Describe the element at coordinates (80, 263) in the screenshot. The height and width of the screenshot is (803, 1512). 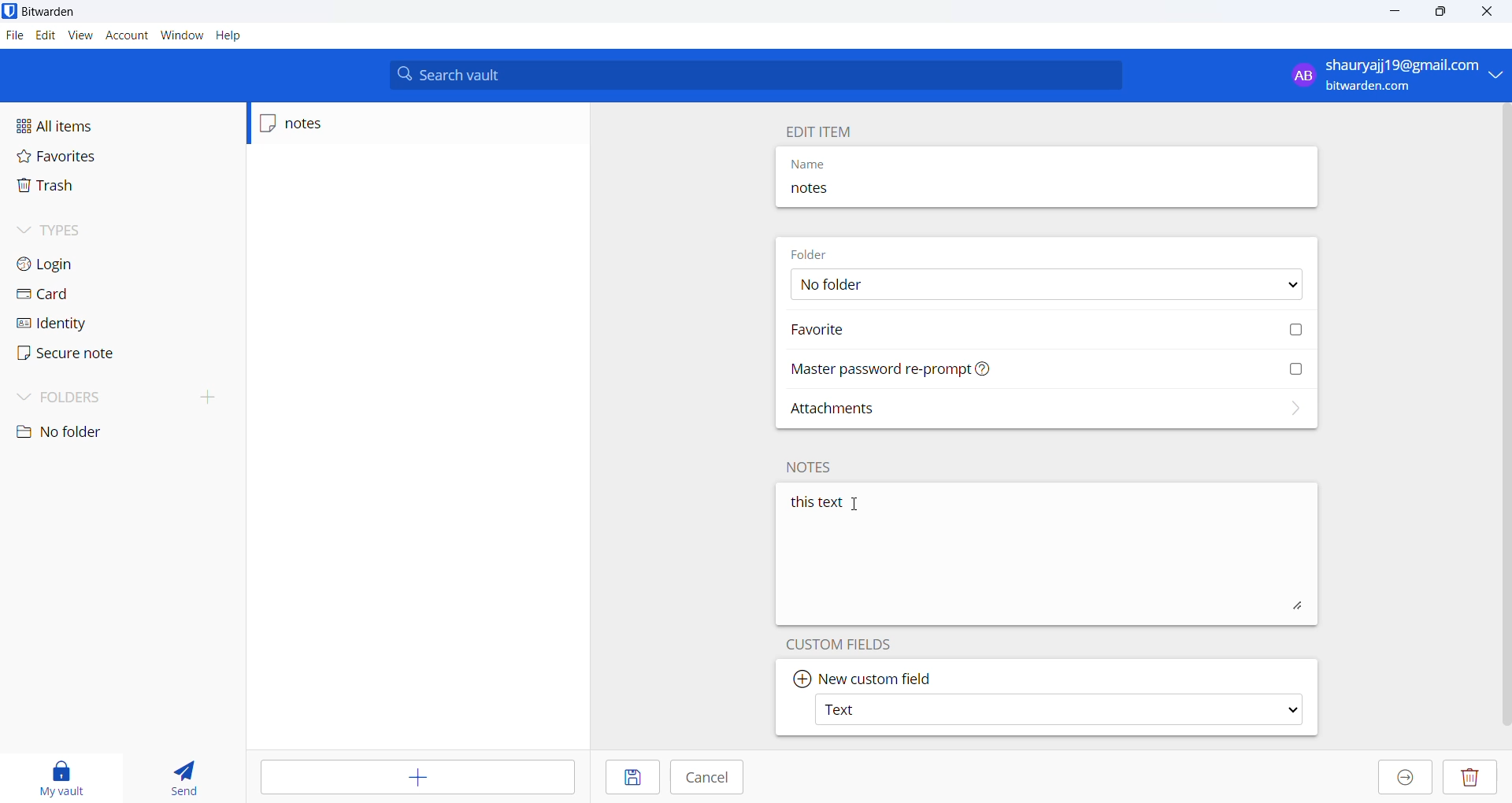
I see `login` at that location.